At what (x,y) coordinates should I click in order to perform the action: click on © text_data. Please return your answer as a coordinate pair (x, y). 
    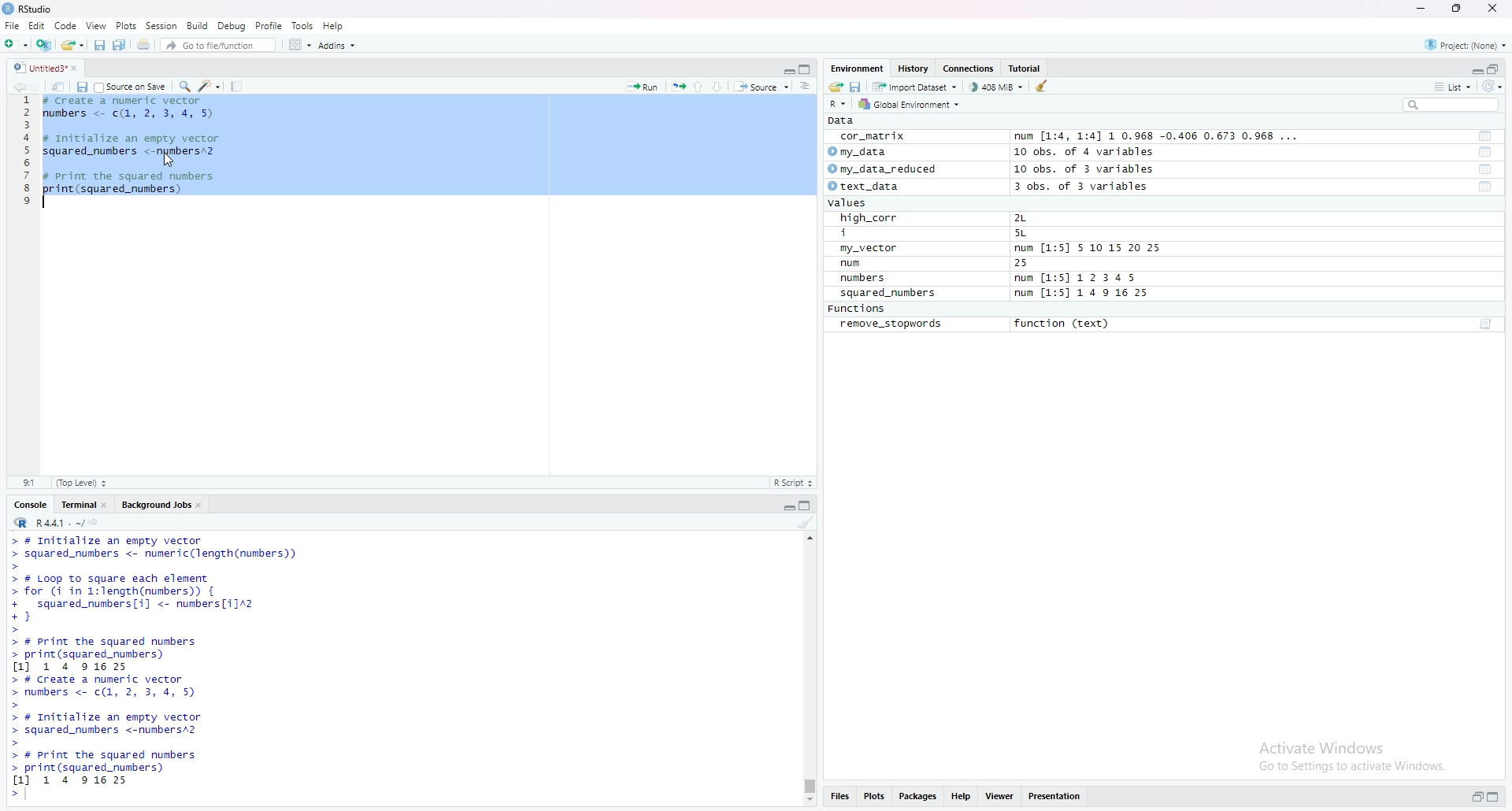
    Looking at the image, I should click on (865, 187).